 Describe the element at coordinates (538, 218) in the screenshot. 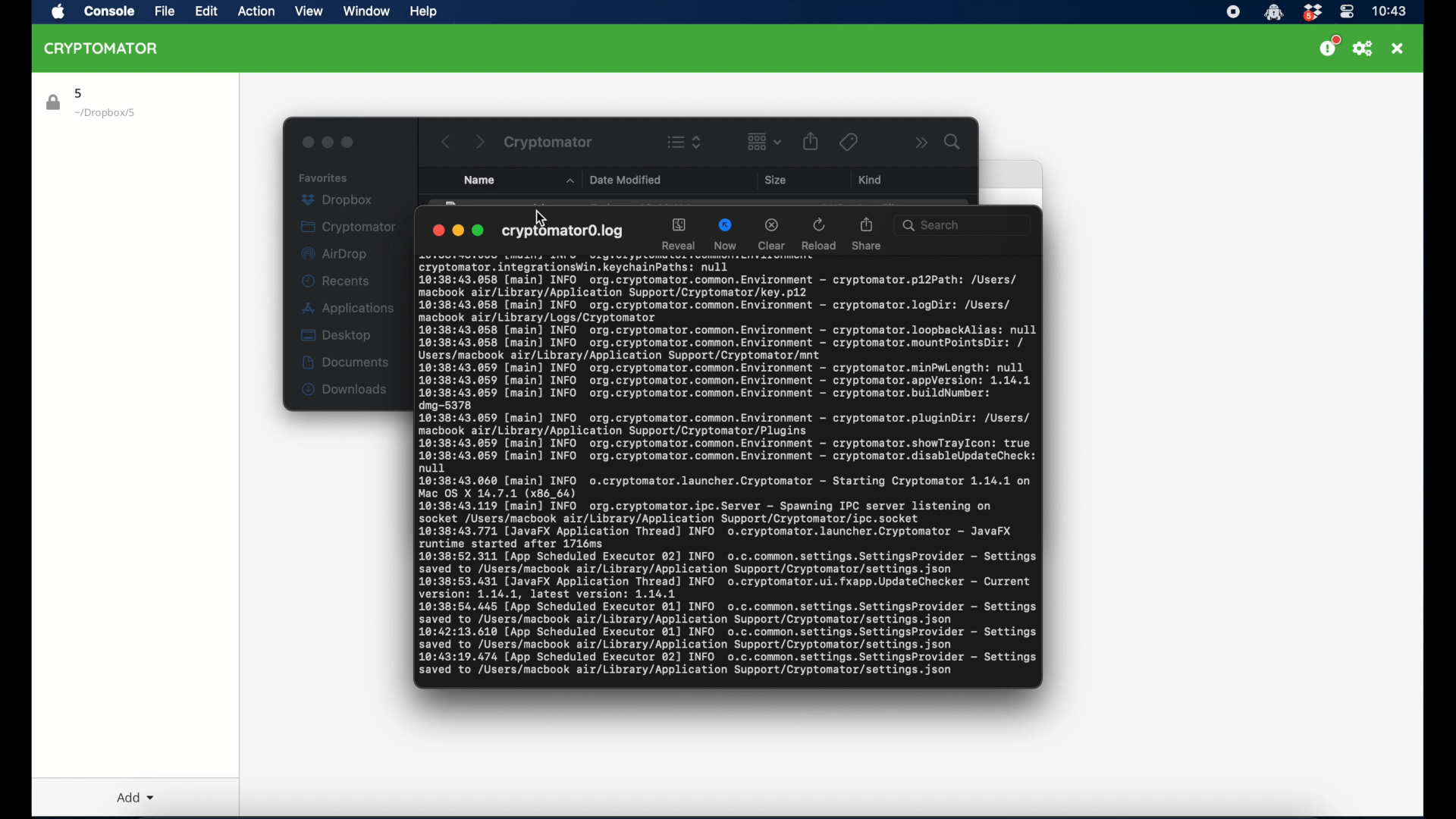

I see `cursor` at that location.